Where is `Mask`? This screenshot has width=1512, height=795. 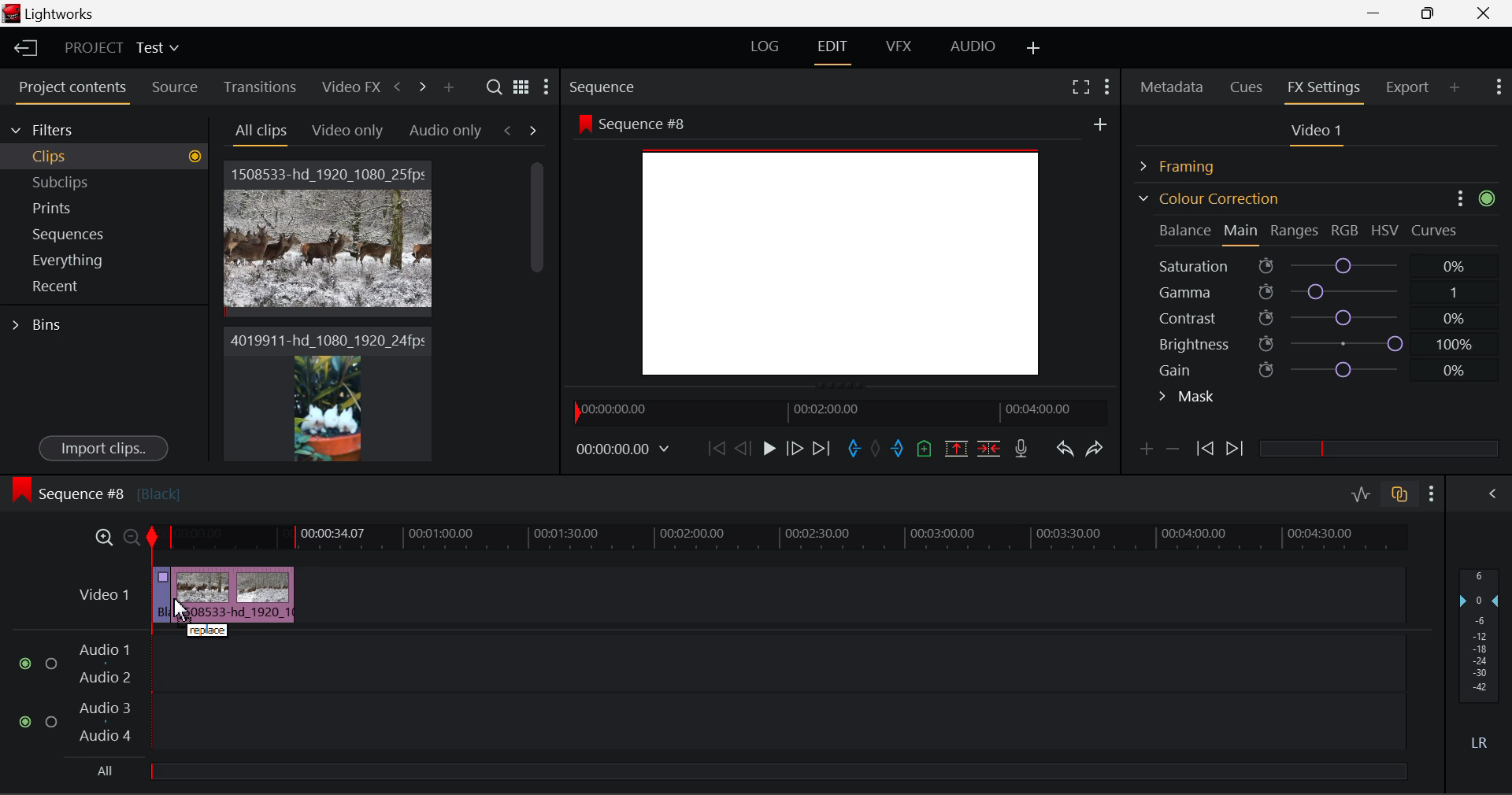 Mask is located at coordinates (1188, 398).